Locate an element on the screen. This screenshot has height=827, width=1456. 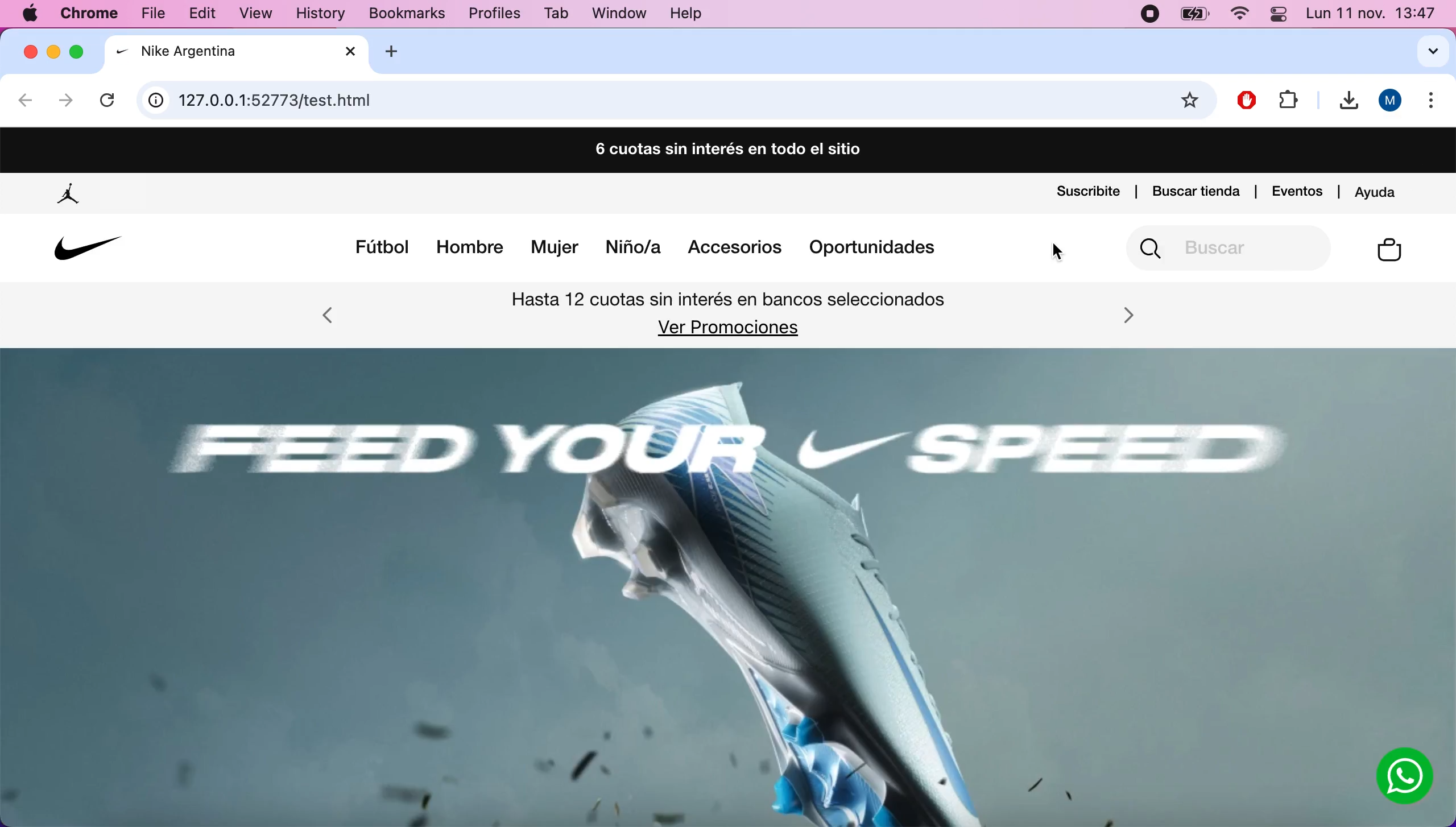
search bar is located at coordinates (675, 101).